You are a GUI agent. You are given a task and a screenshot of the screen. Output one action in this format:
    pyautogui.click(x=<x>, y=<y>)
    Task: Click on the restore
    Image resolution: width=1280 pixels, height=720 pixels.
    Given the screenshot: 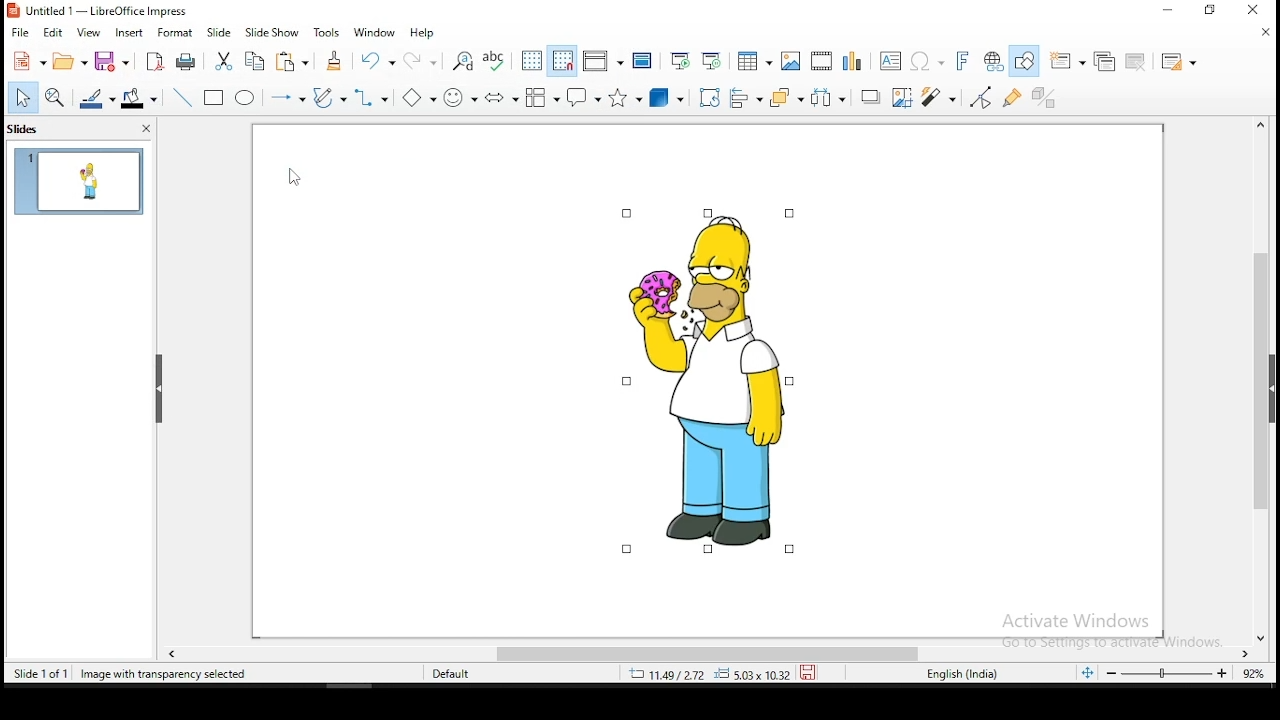 What is the action you would take?
    pyautogui.click(x=1212, y=10)
    